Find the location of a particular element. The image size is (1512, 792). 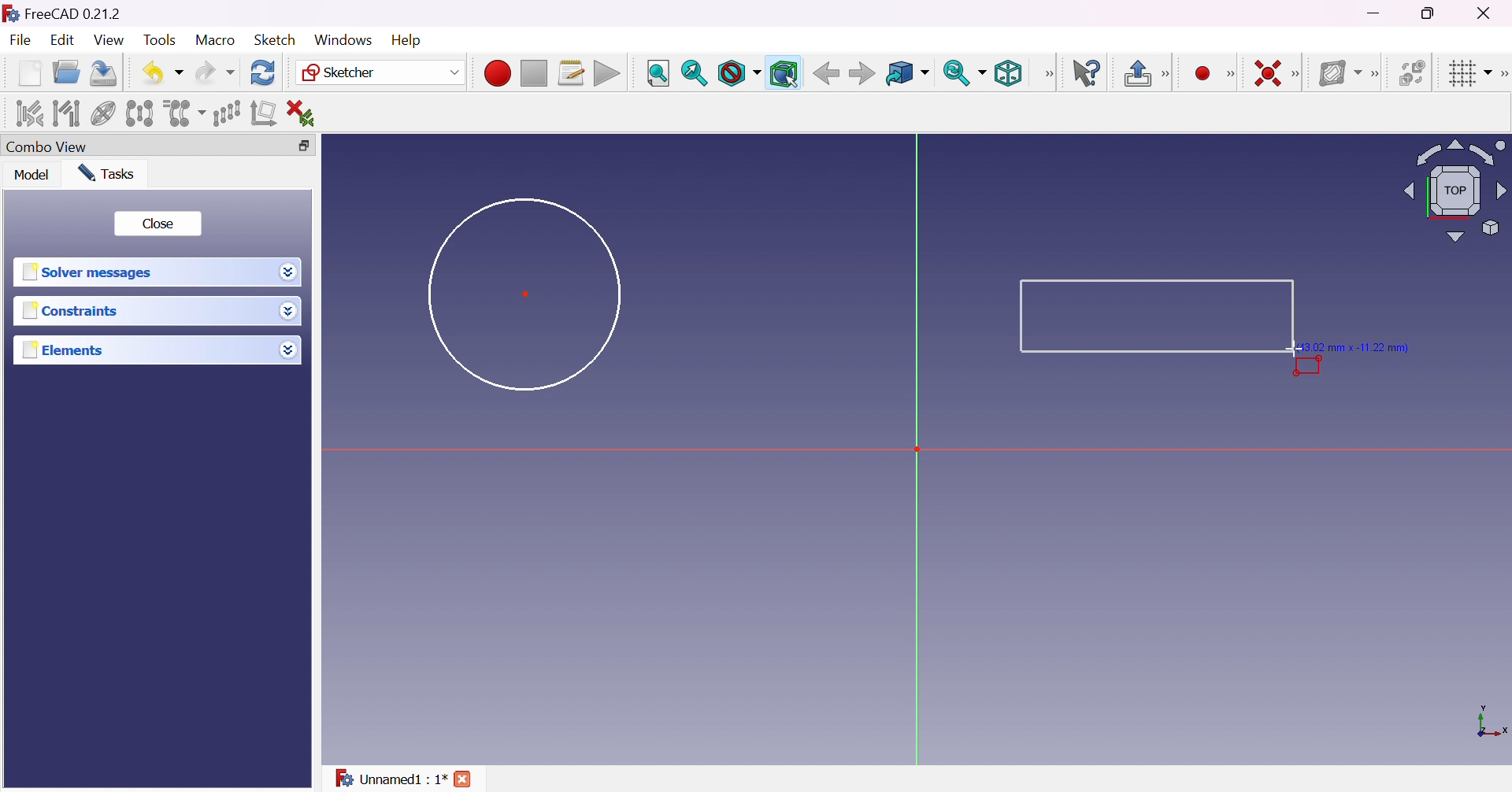

Sketch is located at coordinates (274, 39).